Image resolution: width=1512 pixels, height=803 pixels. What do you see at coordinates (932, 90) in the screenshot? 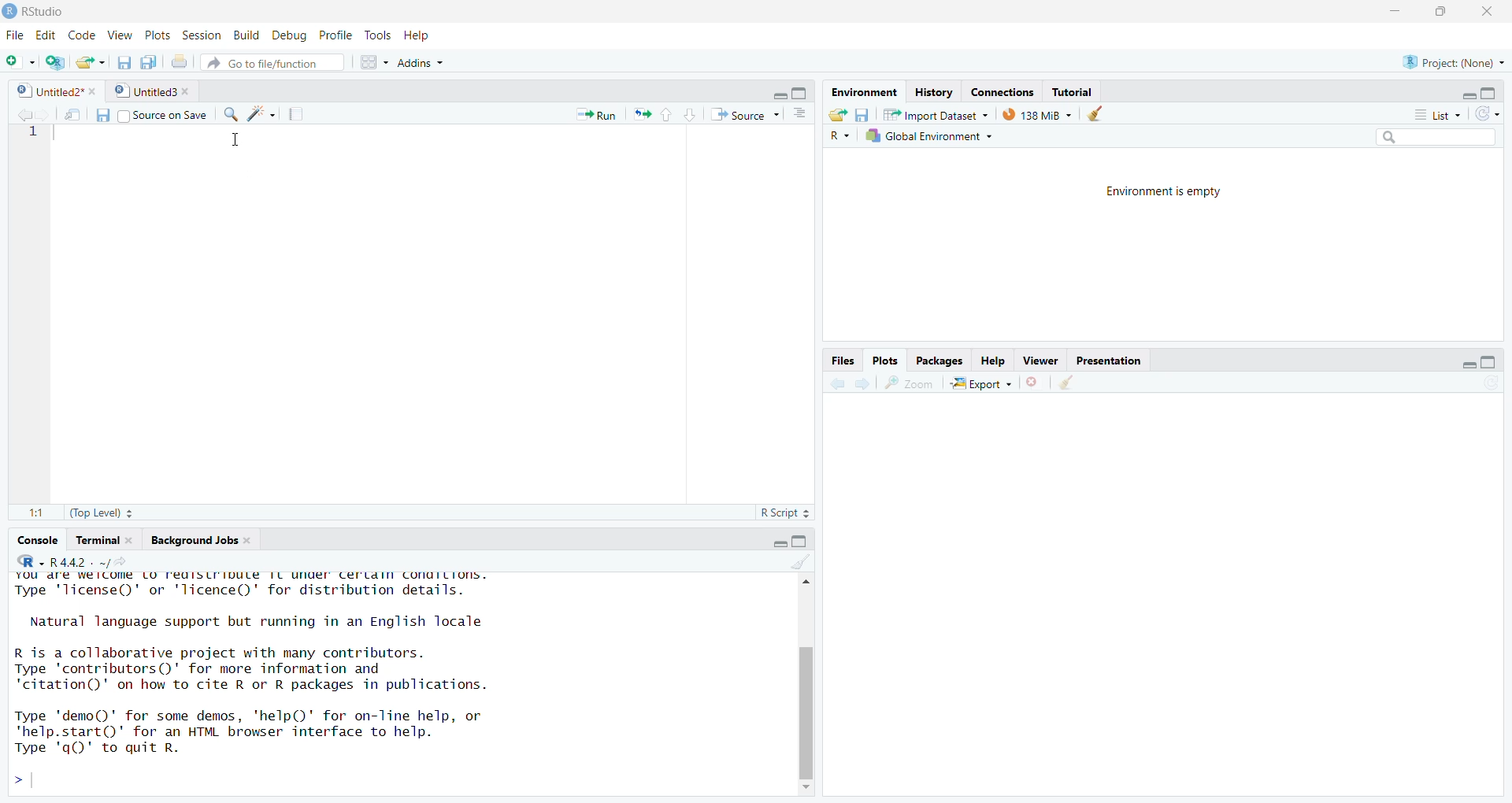
I see `History` at bounding box center [932, 90].